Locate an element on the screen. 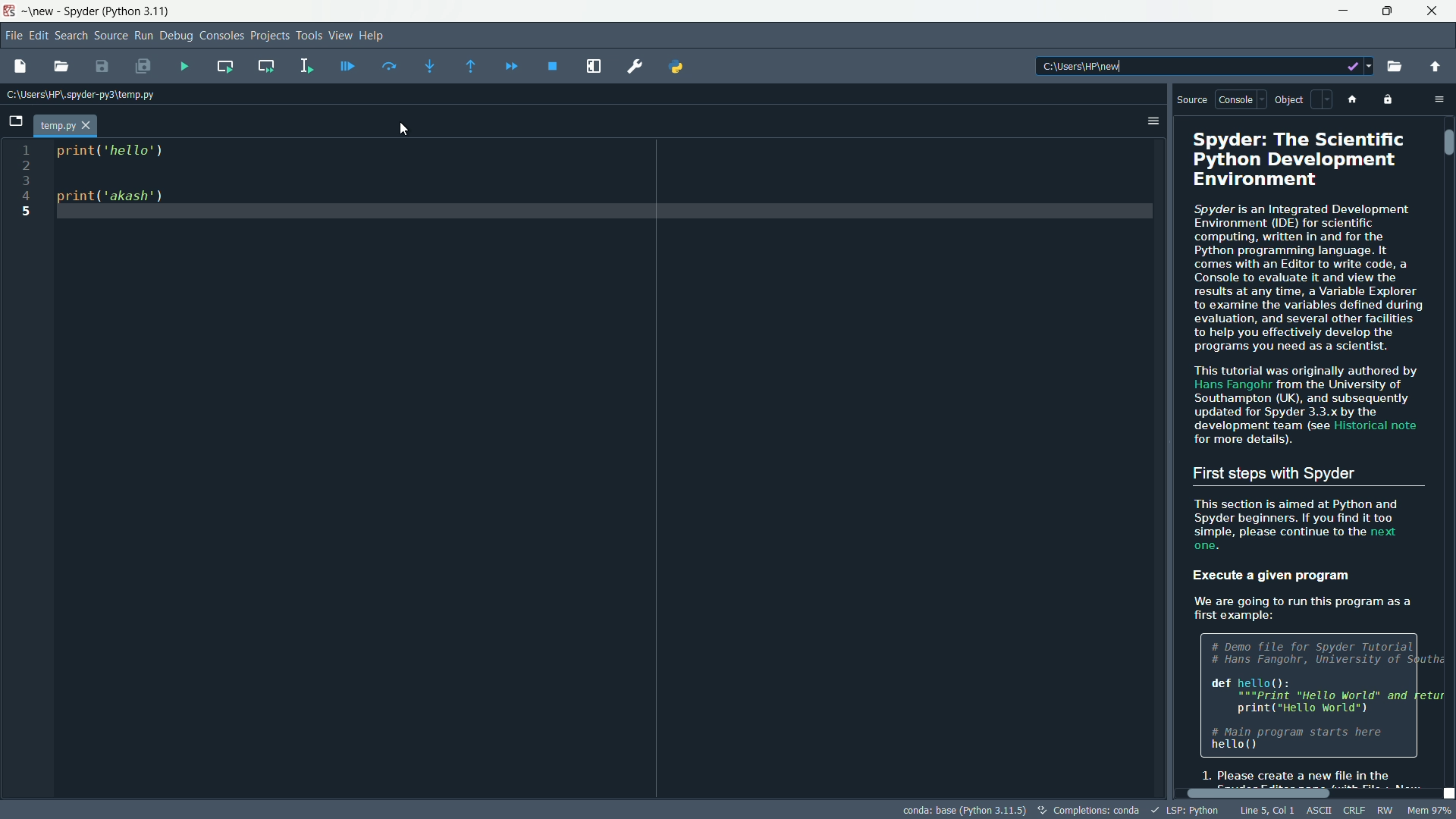 This screenshot has width=1456, height=819. run current cell and go to the next one  is located at coordinates (265, 64).